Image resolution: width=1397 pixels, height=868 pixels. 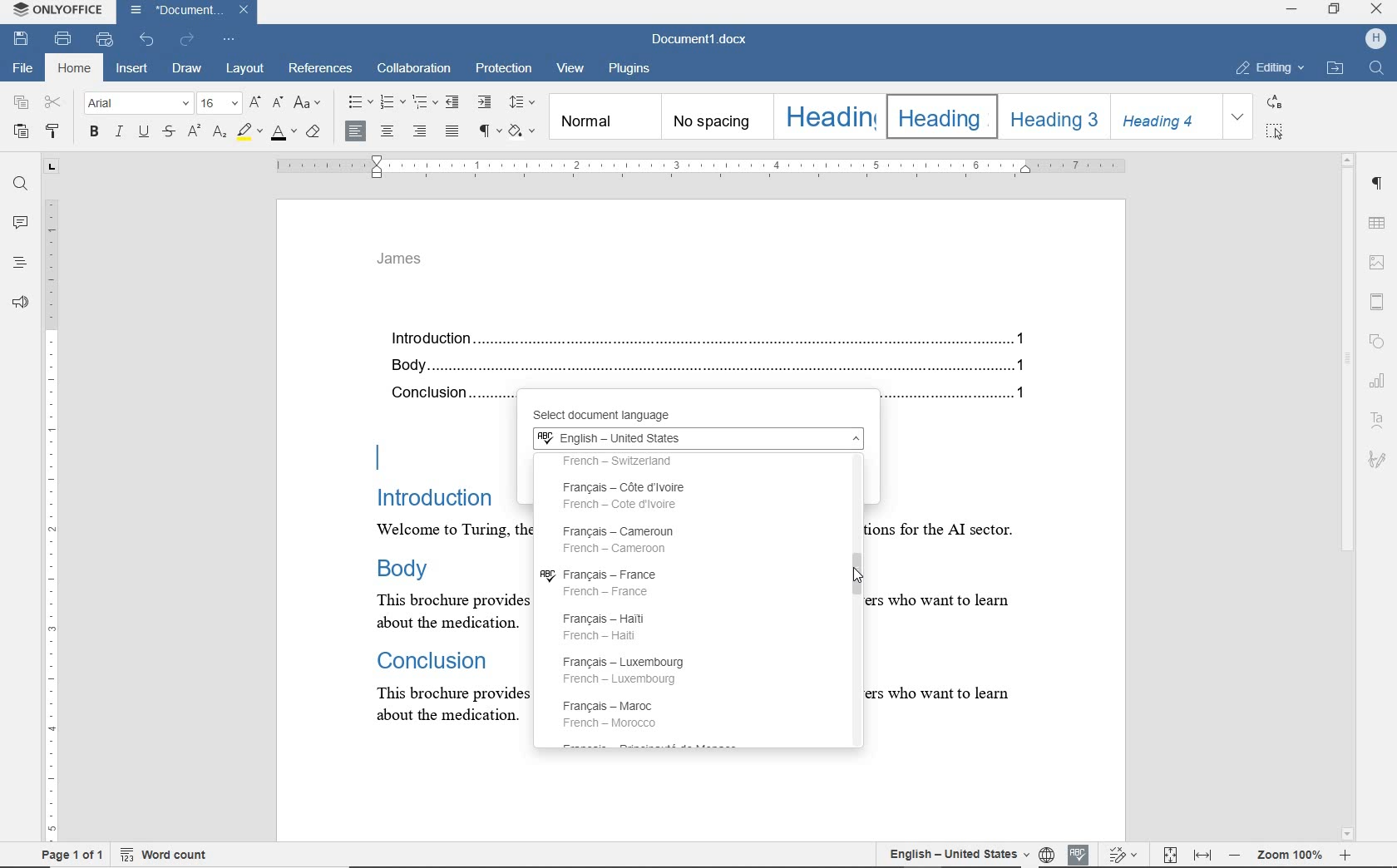 What do you see at coordinates (488, 130) in the screenshot?
I see `nonprinting characters` at bounding box center [488, 130].